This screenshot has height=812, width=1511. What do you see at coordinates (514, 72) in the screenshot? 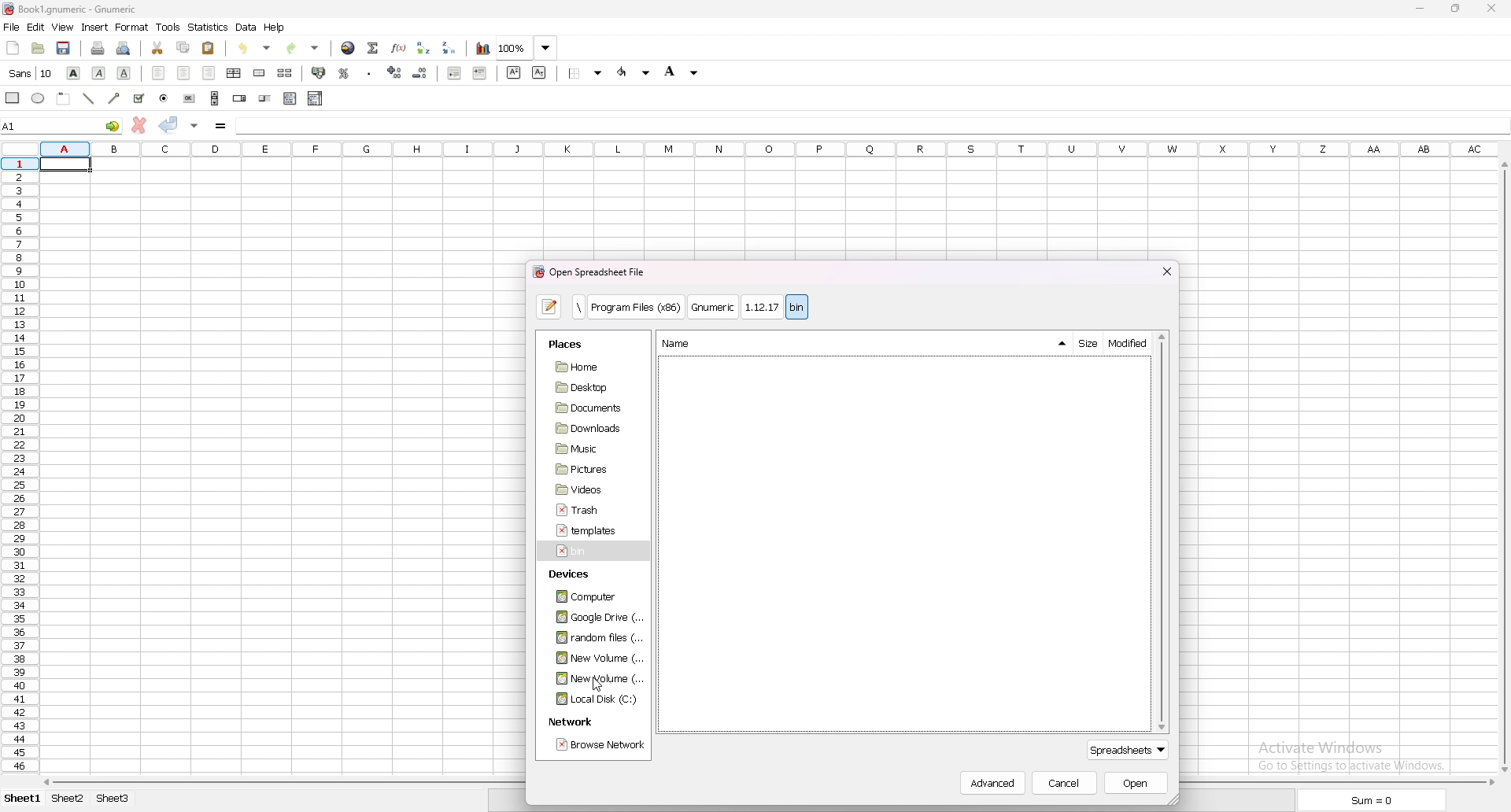
I see `superscript` at bounding box center [514, 72].